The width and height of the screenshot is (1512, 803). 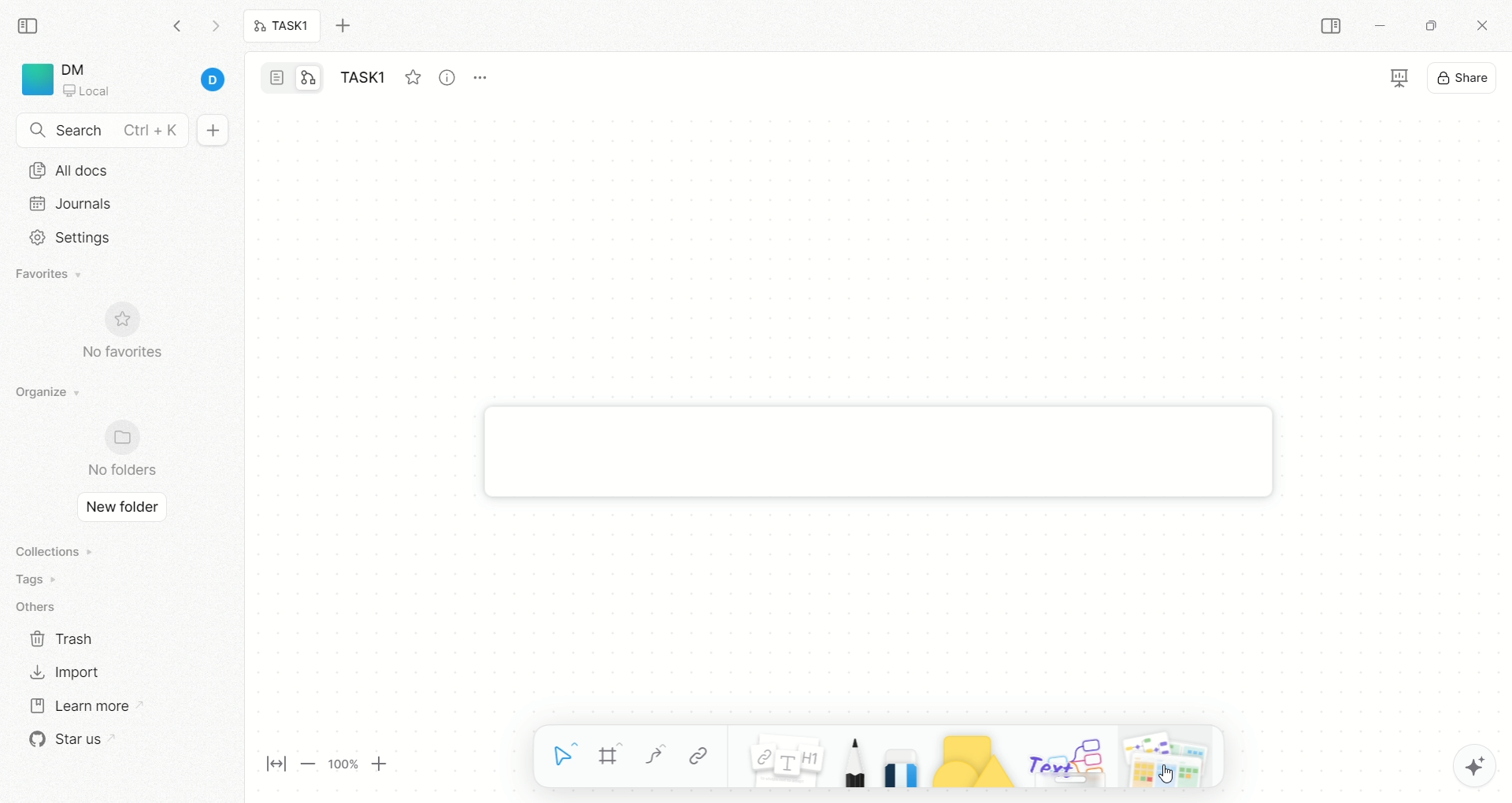 What do you see at coordinates (450, 78) in the screenshot?
I see `view info` at bounding box center [450, 78].